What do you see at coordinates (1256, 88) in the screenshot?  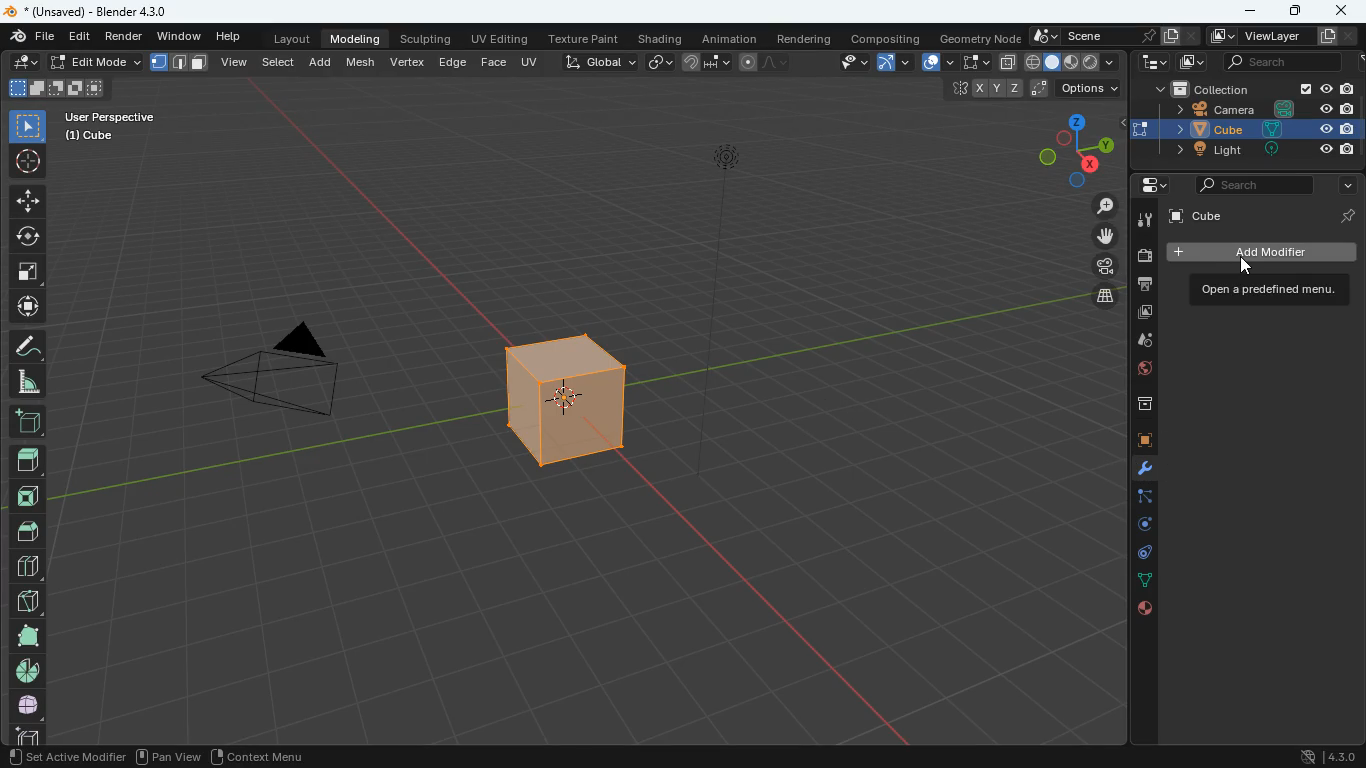 I see `collection` at bounding box center [1256, 88].